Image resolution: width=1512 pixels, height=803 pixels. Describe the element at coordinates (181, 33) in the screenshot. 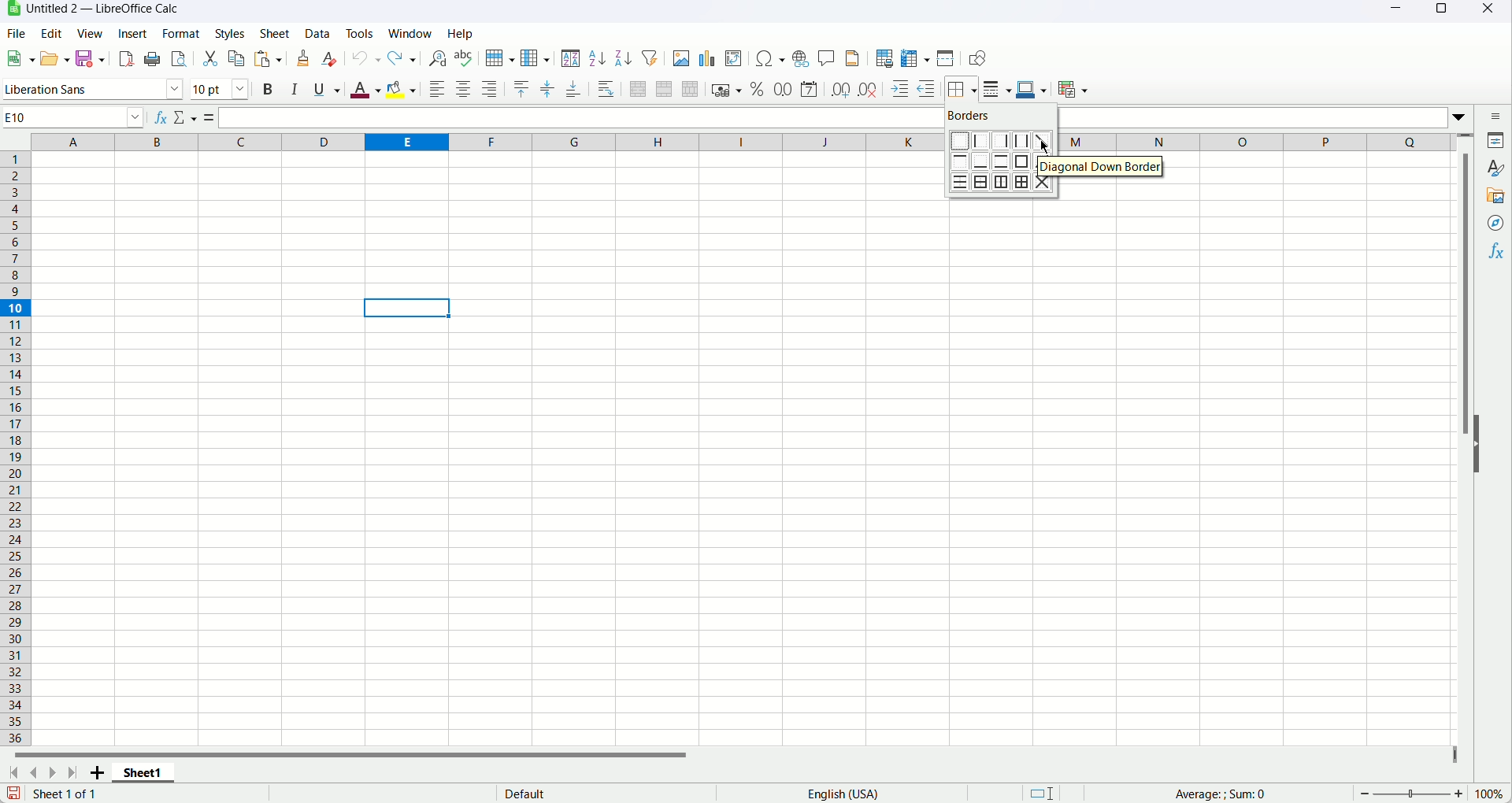

I see `Format` at that location.